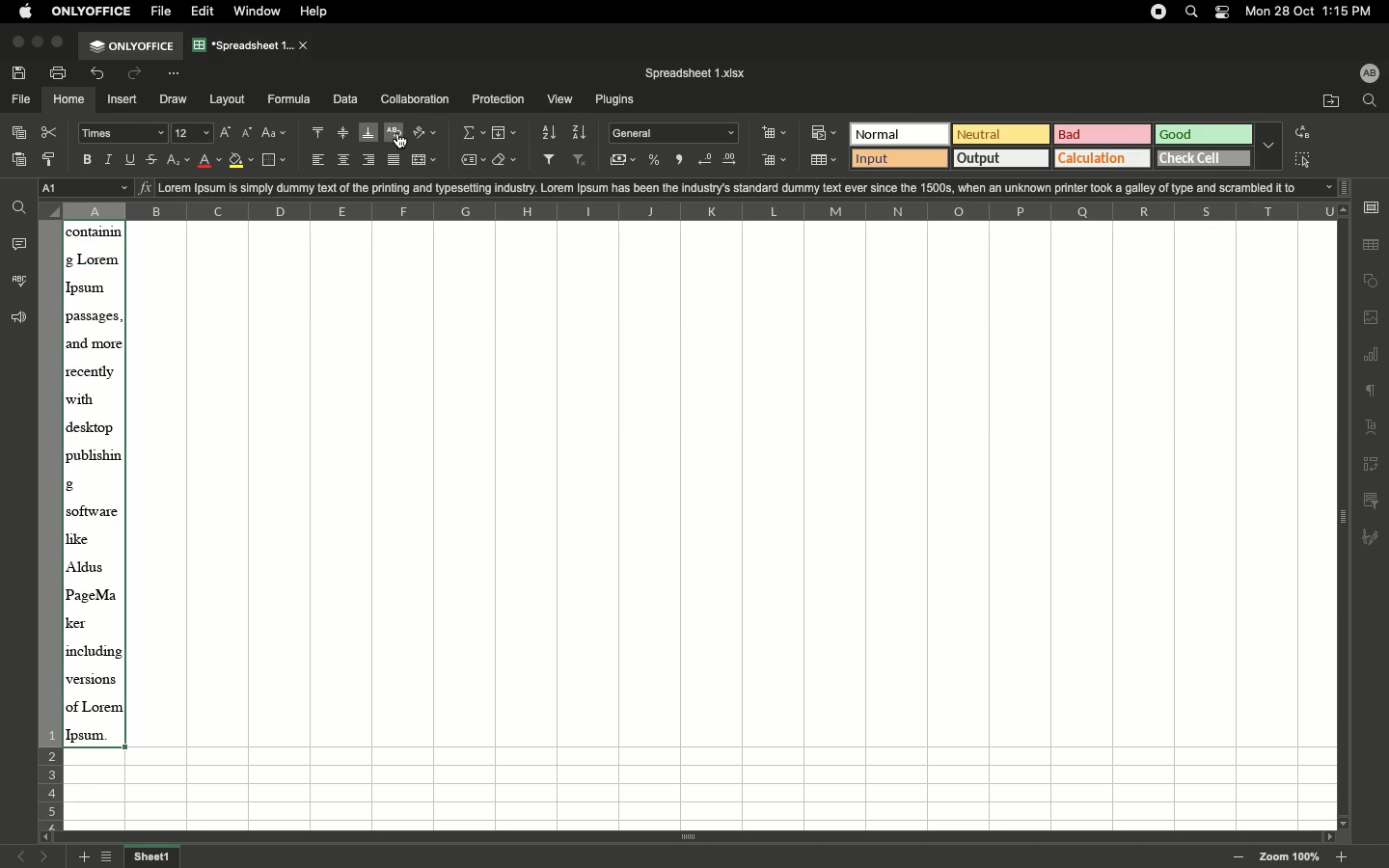 The width and height of the screenshot is (1389, 868). What do you see at coordinates (1342, 824) in the screenshot?
I see `move down` at bounding box center [1342, 824].